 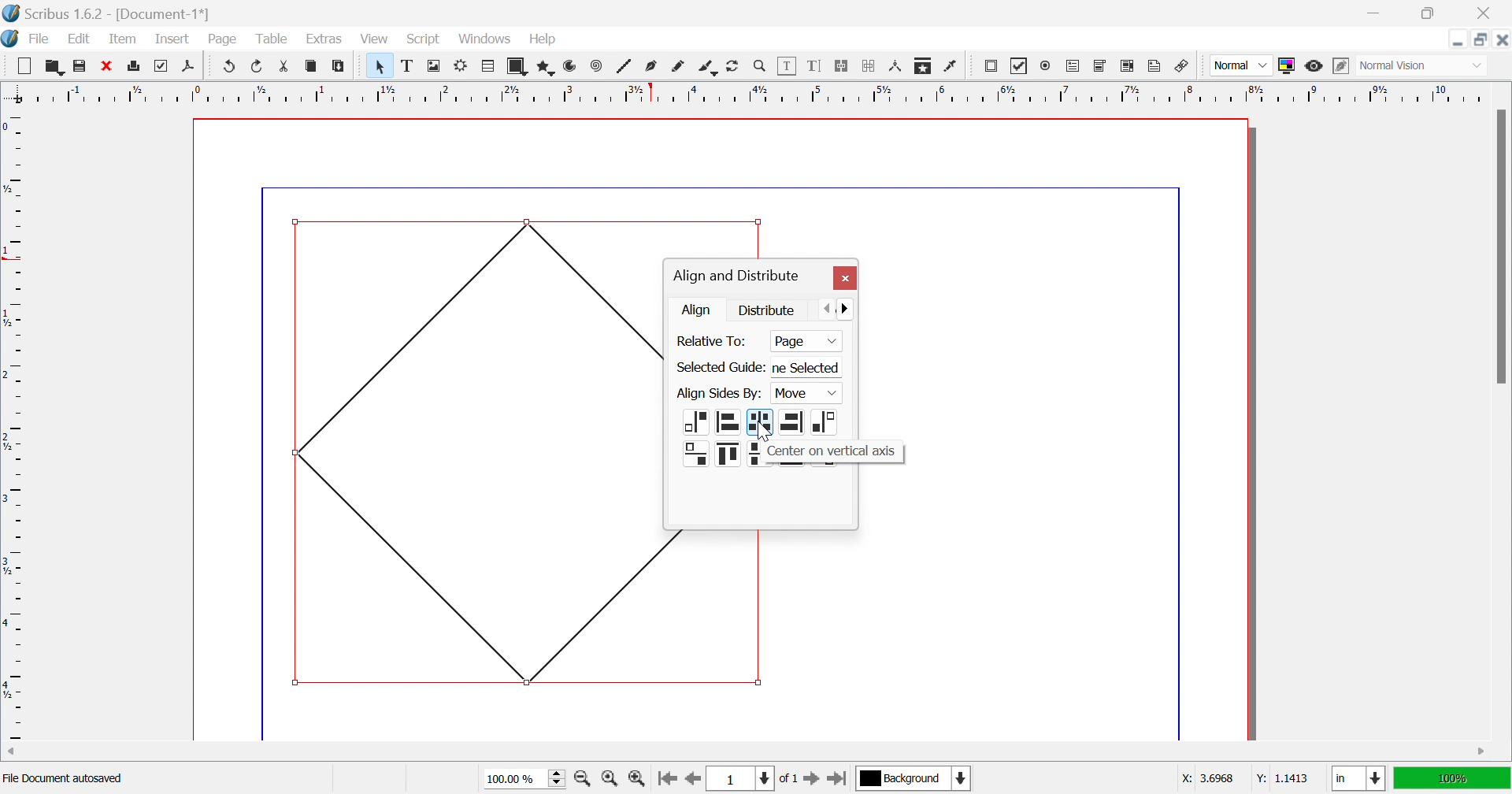 I want to click on Go to the next page, so click(x=813, y=782).